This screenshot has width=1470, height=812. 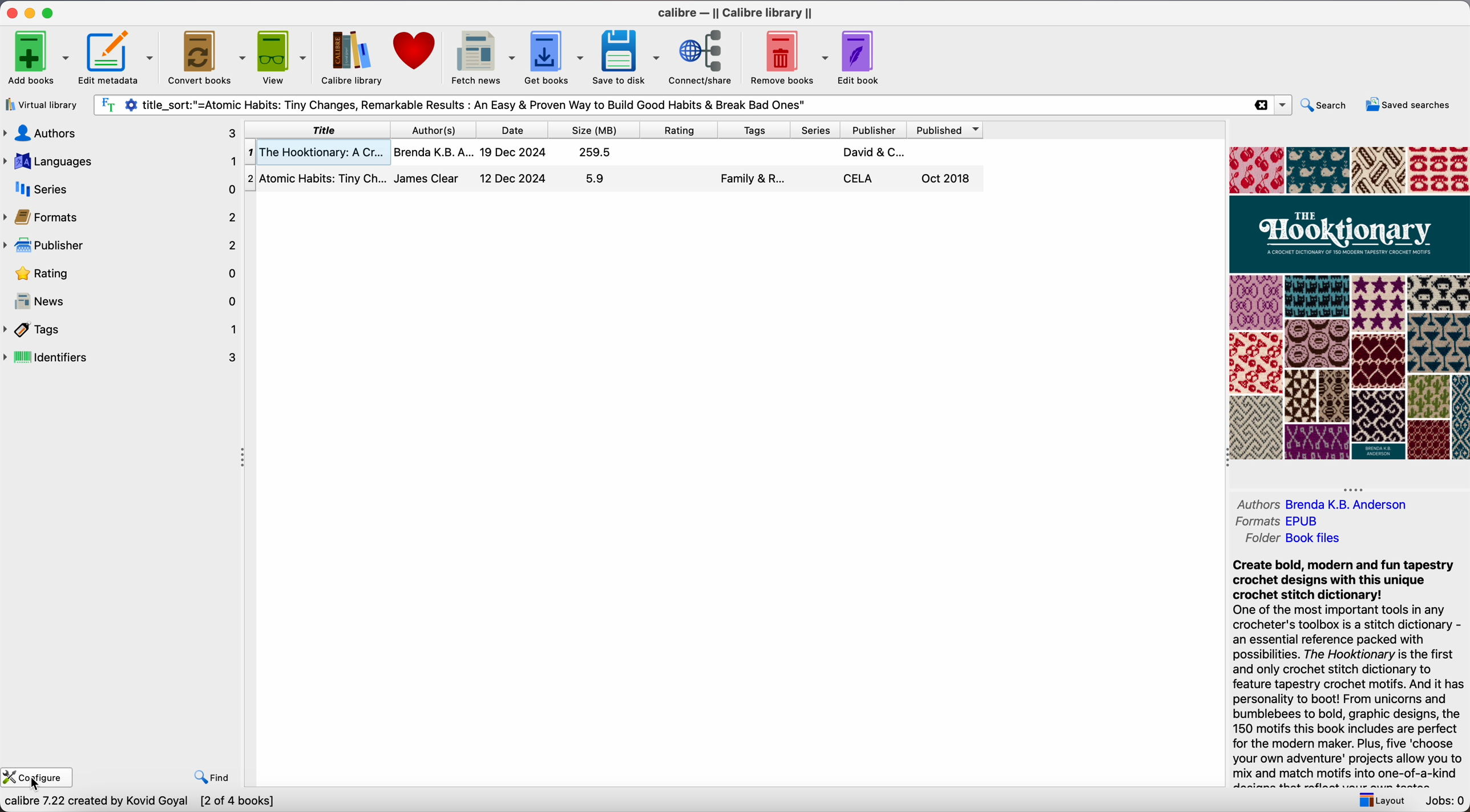 What do you see at coordinates (877, 129) in the screenshot?
I see `publisher` at bounding box center [877, 129].